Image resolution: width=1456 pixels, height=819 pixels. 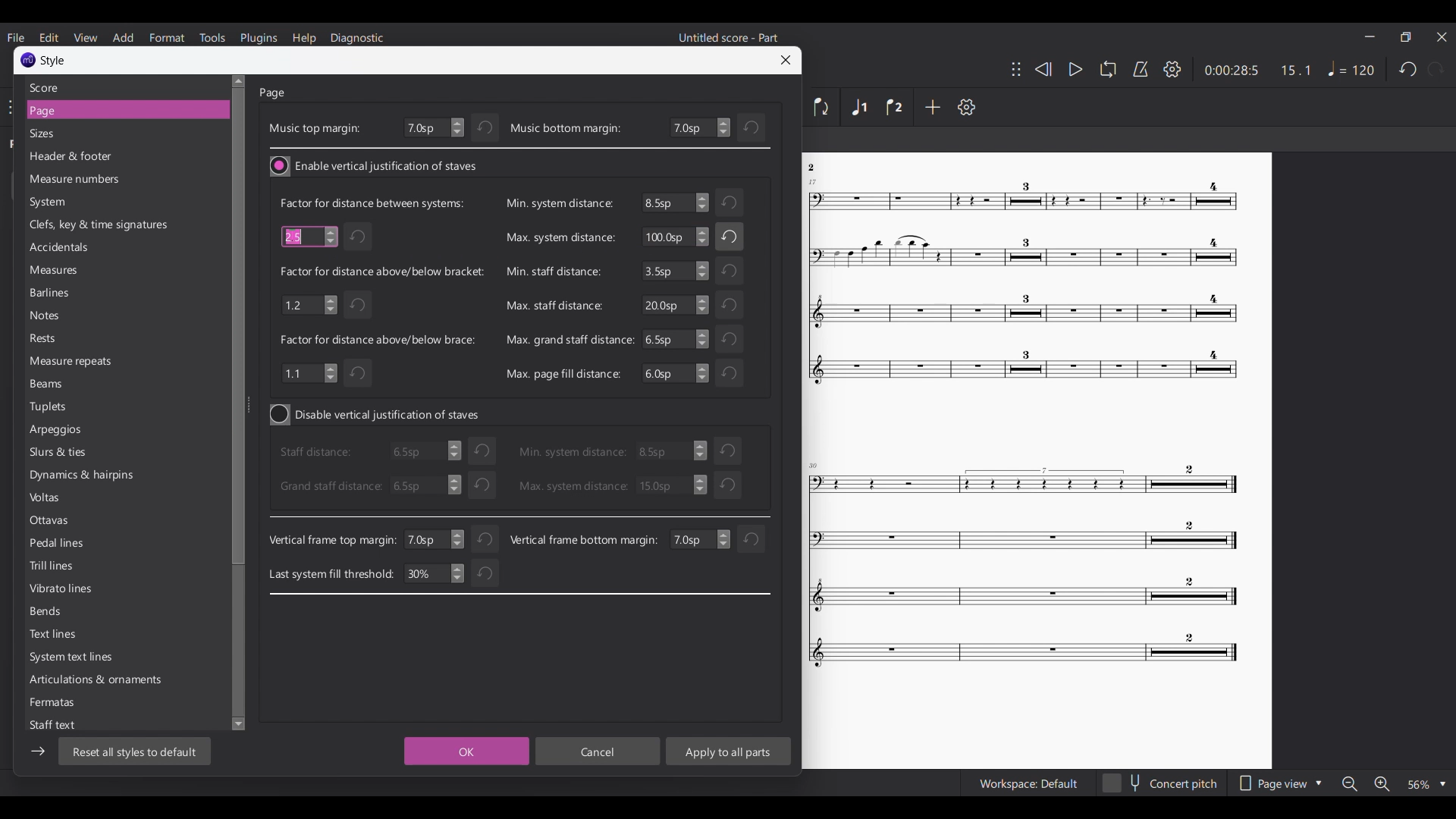 I want to click on 100 sp, so click(x=674, y=238).